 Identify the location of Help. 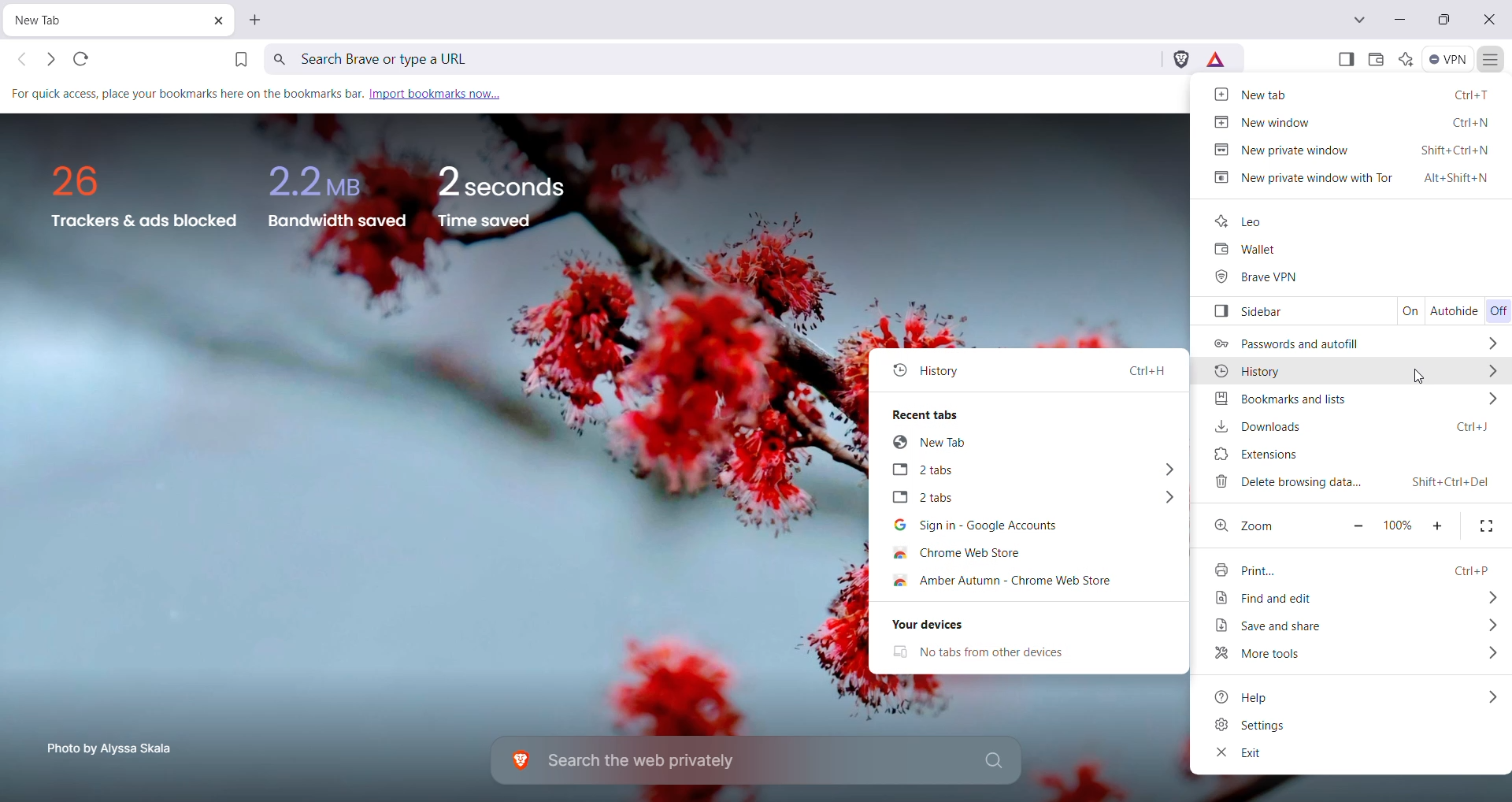
(1356, 696).